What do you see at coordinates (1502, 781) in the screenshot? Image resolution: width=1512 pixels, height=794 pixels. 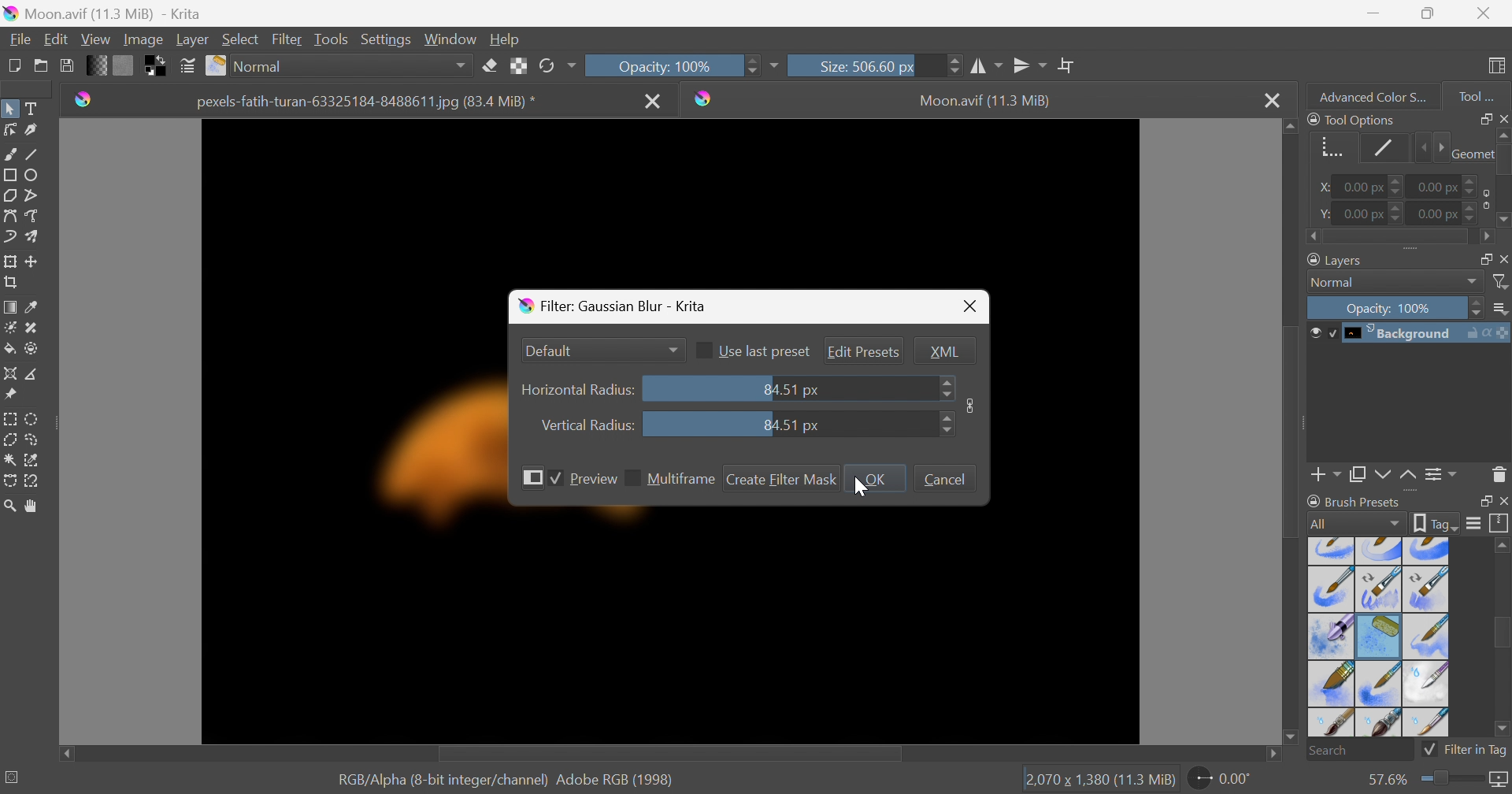 I see `Map the displayed canvas size between pixel size and print size. Current mapping: Pixel Size` at bounding box center [1502, 781].